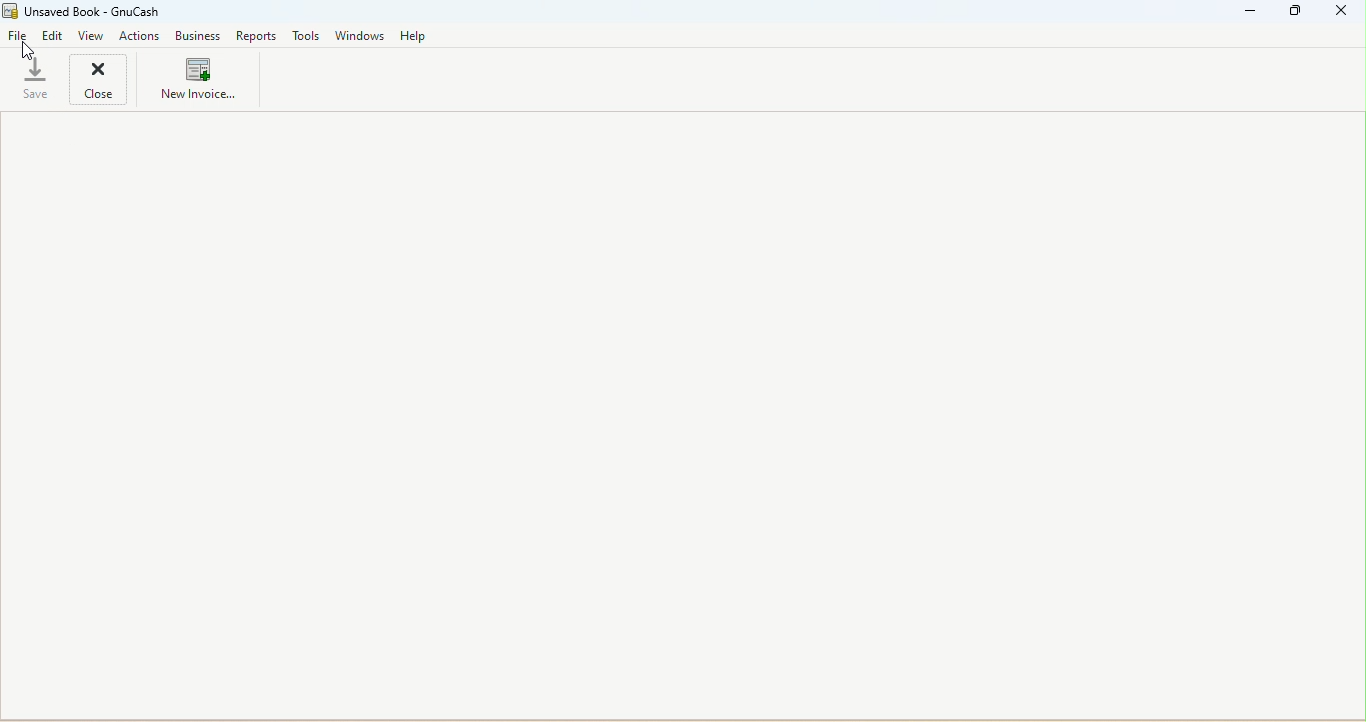 Image resolution: width=1366 pixels, height=722 pixels. I want to click on Reports, so click(253, 35).